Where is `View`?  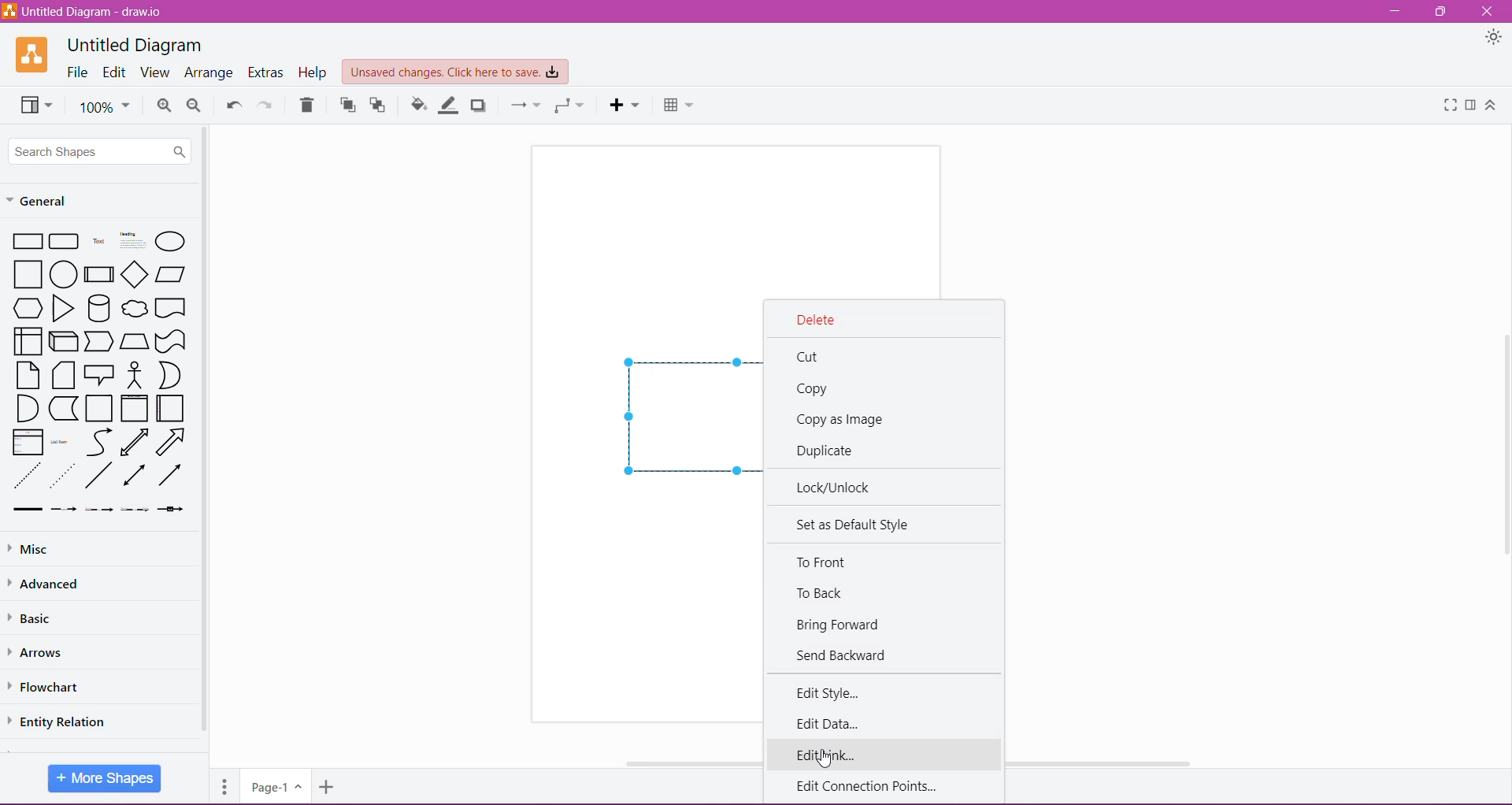 View is located at coordinates (35, 105).